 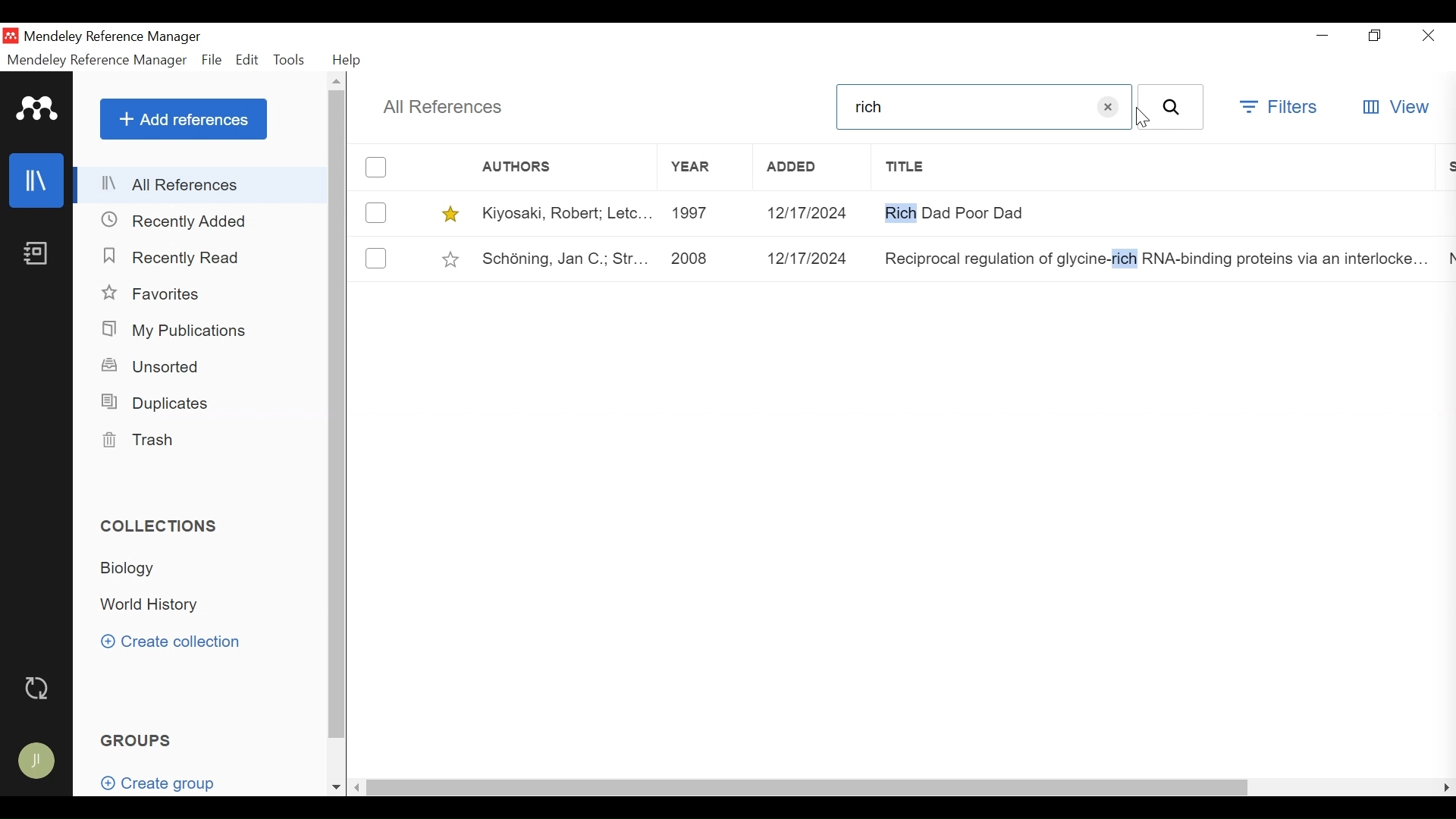 I want to click on 1997, so click(x=701, y=213).